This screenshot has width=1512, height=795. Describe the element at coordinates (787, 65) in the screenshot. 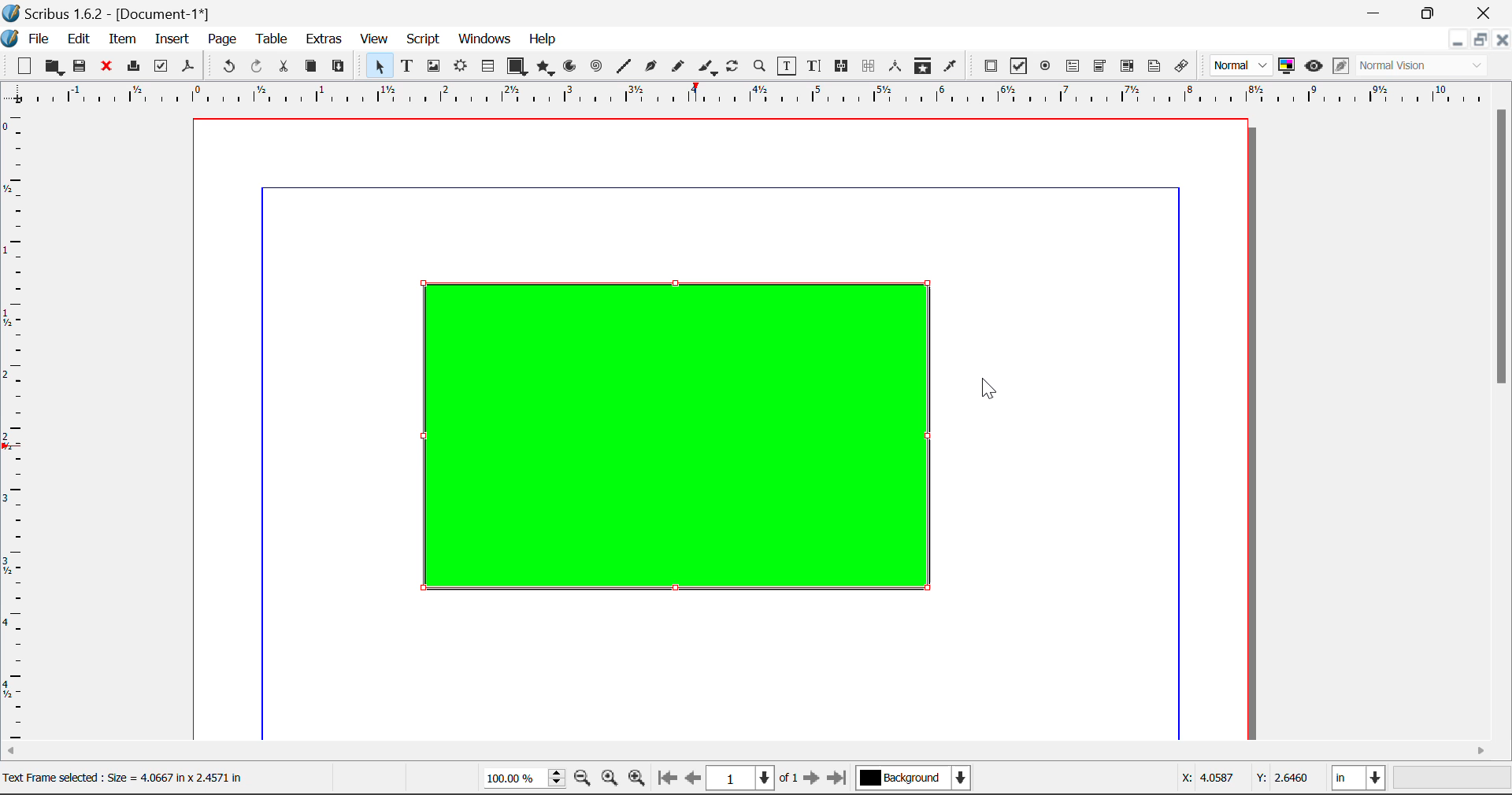

I see `Edit Contents of Frame` at that location.